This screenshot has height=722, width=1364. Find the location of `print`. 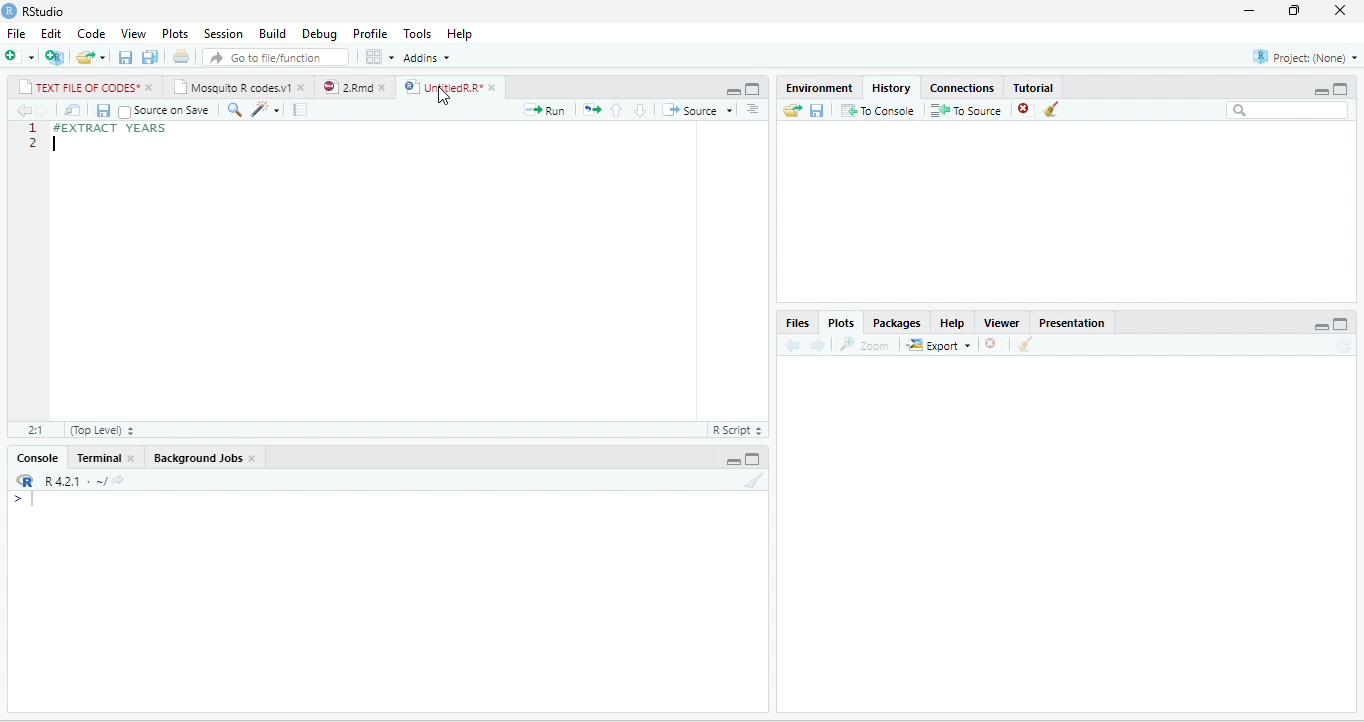

print is located at coordinates (180, 56).